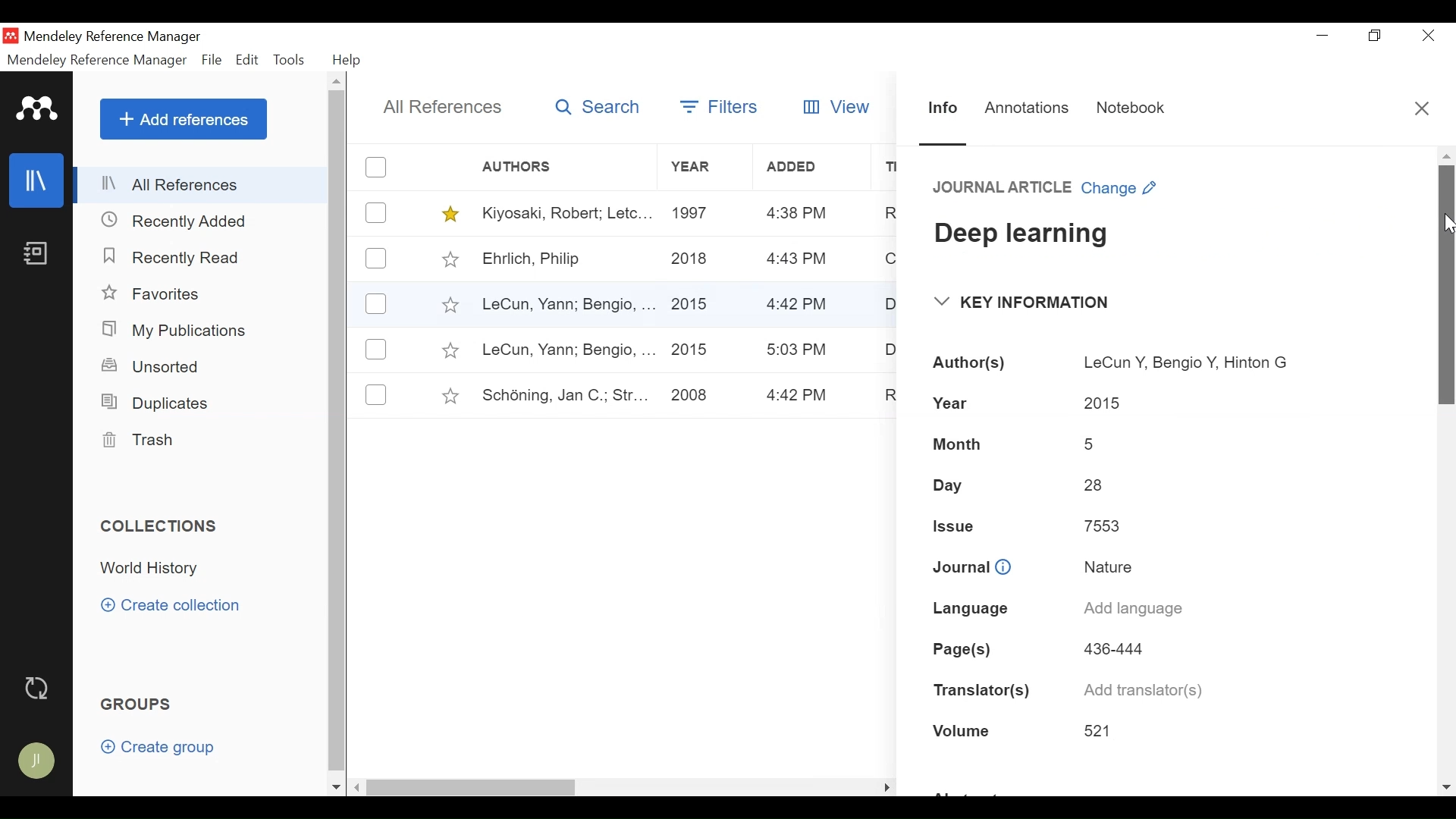 This screenshot has width=1456, height=819. Describe the element at coordinates (704, 168) in the screenshot. I see `Year` at that location.